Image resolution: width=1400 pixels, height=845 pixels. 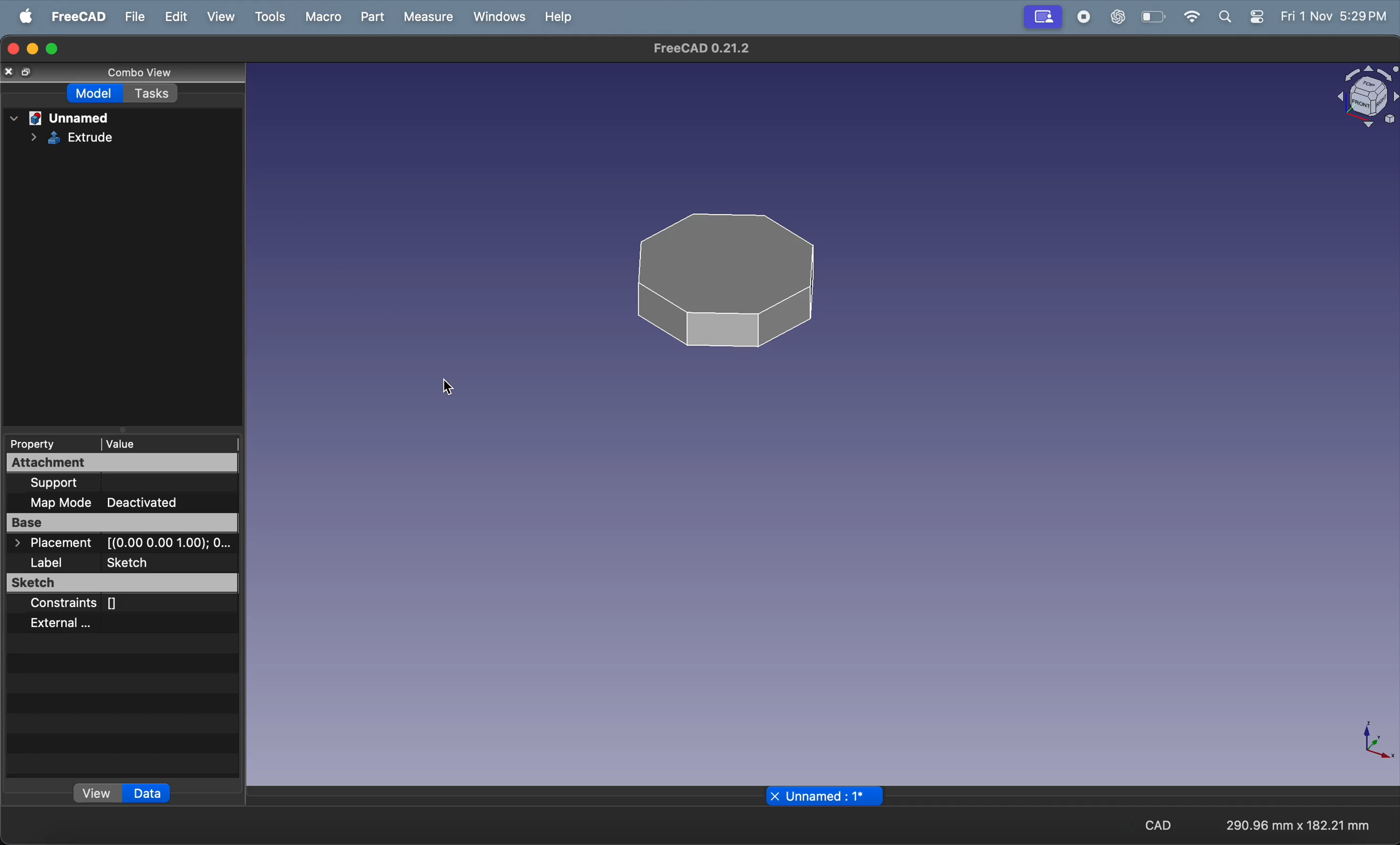 What do you see at coordinates (1370, 746) in the screenshot?
I see `axis` at bounding box center [1370, 746].